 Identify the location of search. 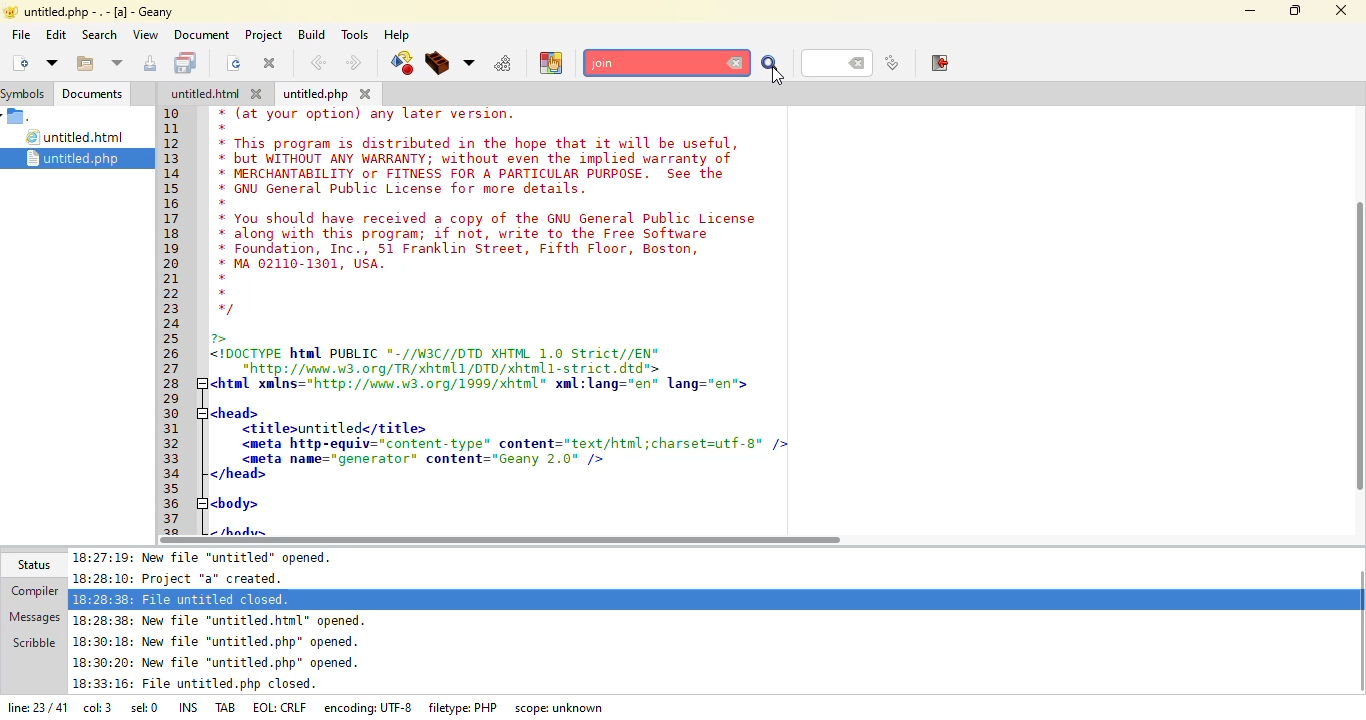
(770, 65).